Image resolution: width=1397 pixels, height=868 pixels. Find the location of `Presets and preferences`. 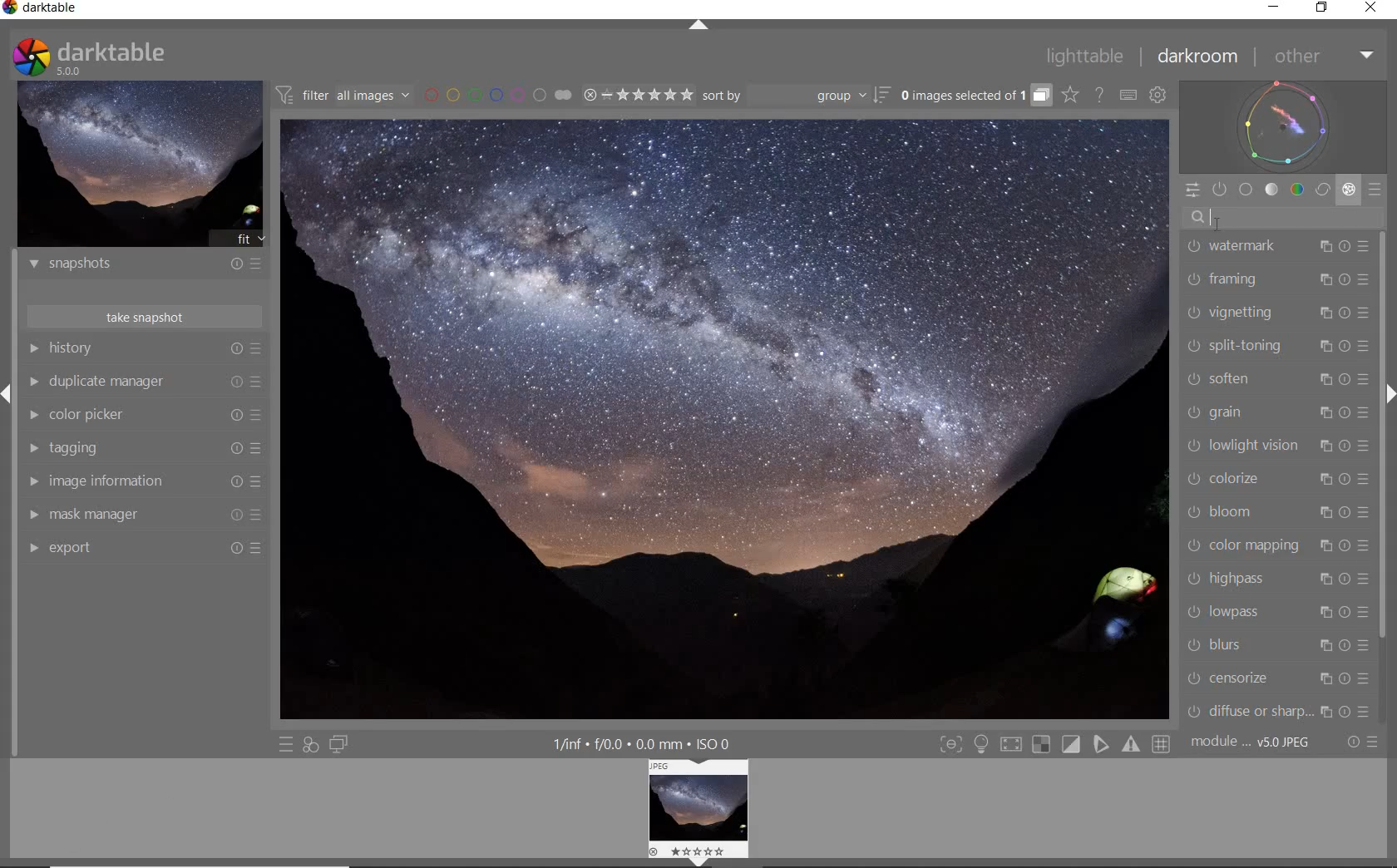

Presets and preferences is located at coordinates (262, 481).